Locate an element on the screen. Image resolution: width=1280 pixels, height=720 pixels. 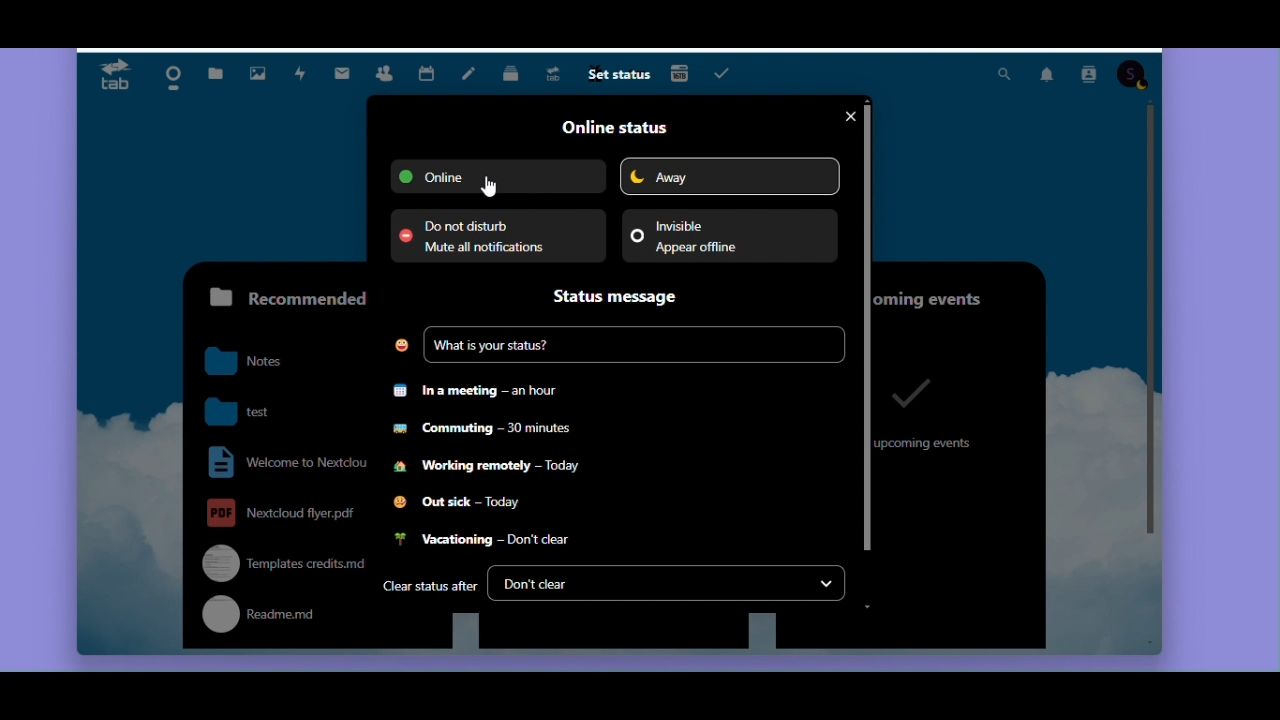
welcome to nextcloud is located at coordinates (283, 463).